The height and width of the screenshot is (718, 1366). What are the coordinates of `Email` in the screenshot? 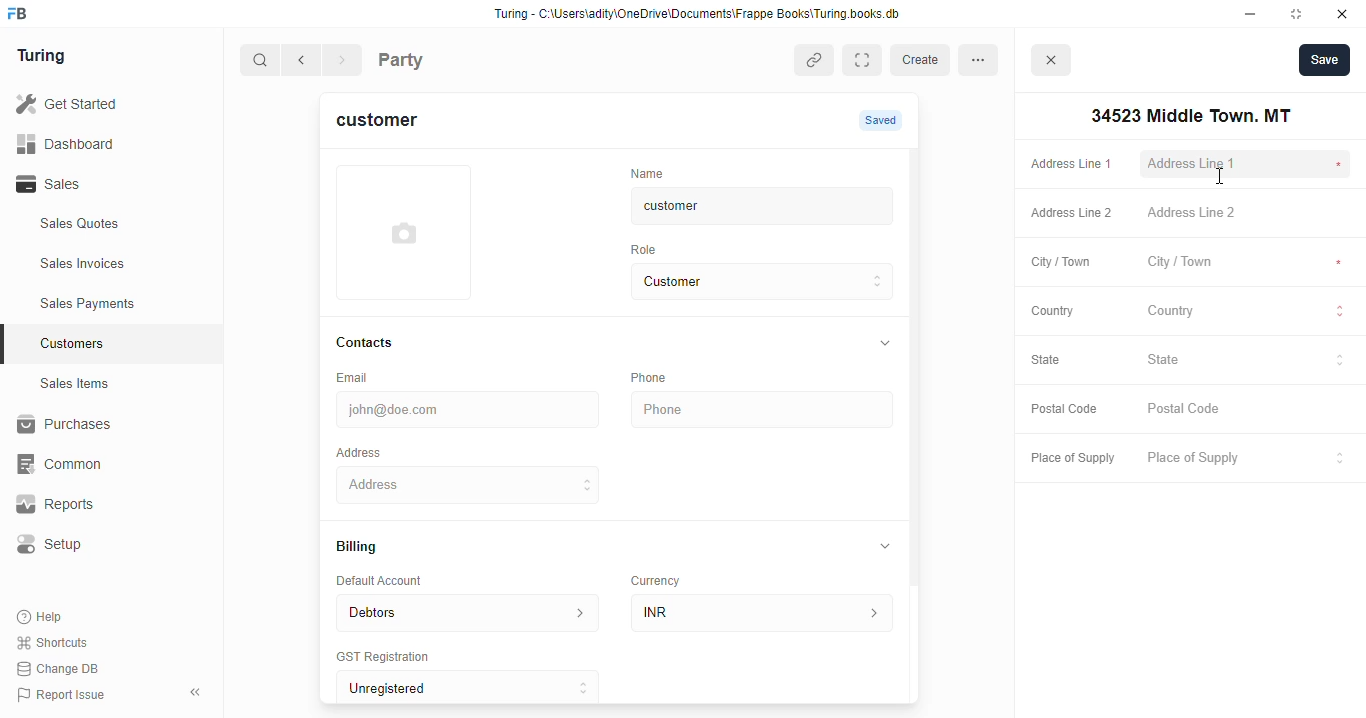 It's located at (356, 376).